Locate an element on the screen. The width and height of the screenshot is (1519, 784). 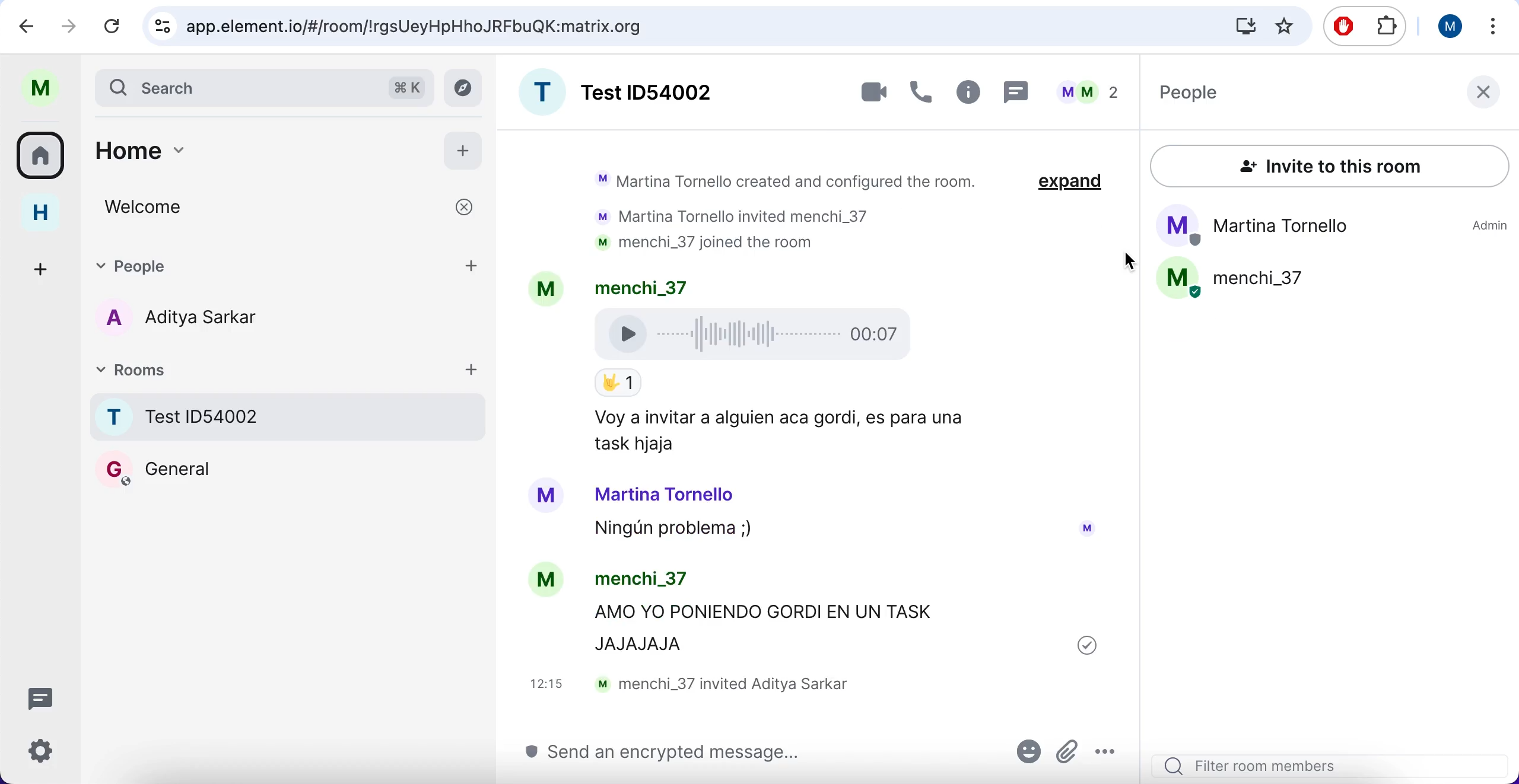
ad block is located at coordinates (1343, 27).